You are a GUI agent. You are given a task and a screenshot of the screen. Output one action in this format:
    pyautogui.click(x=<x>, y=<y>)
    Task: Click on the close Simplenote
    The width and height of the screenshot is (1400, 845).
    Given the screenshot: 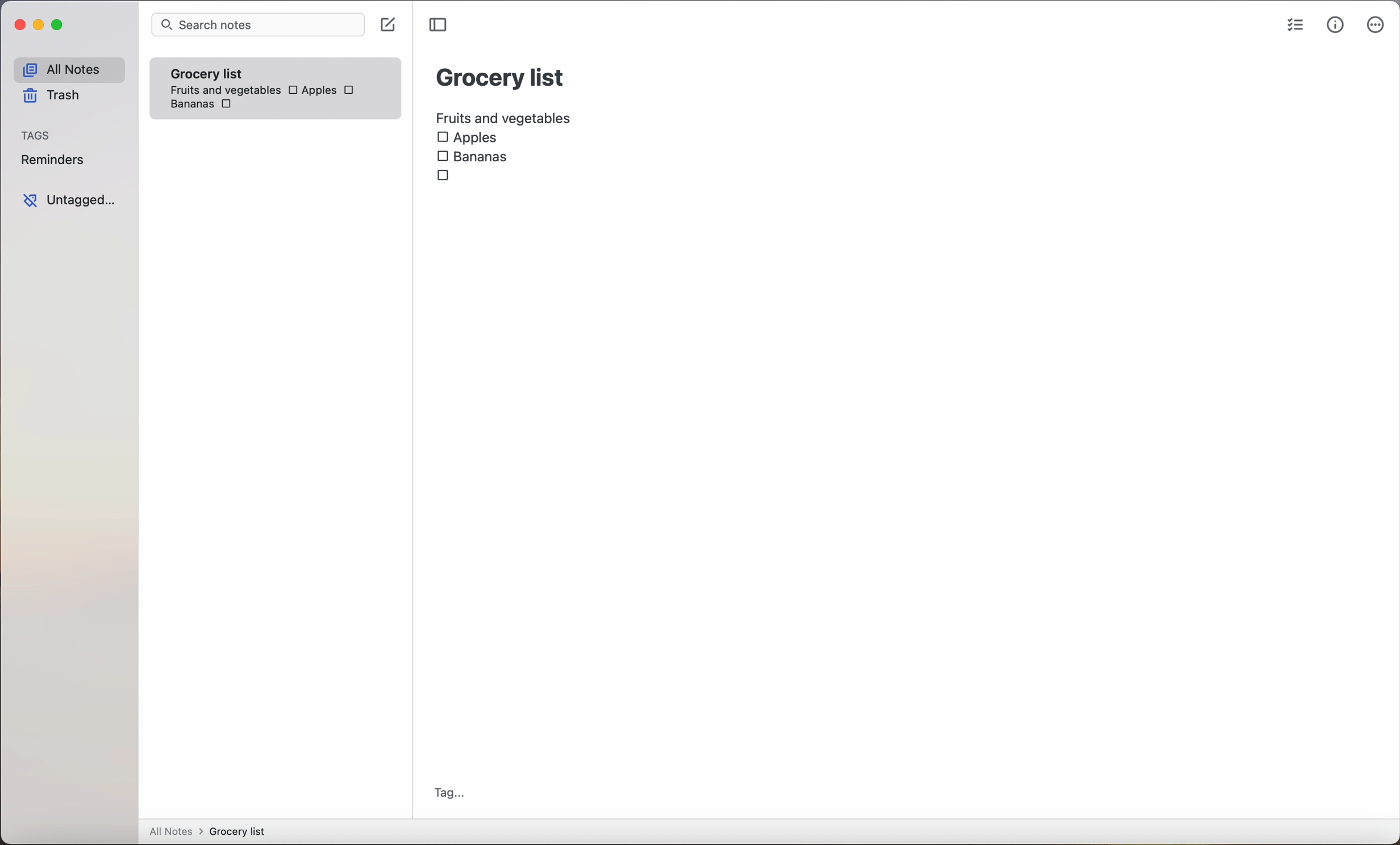 What is the action you would take?
    pyautogui.click(x=19, y=26)
    